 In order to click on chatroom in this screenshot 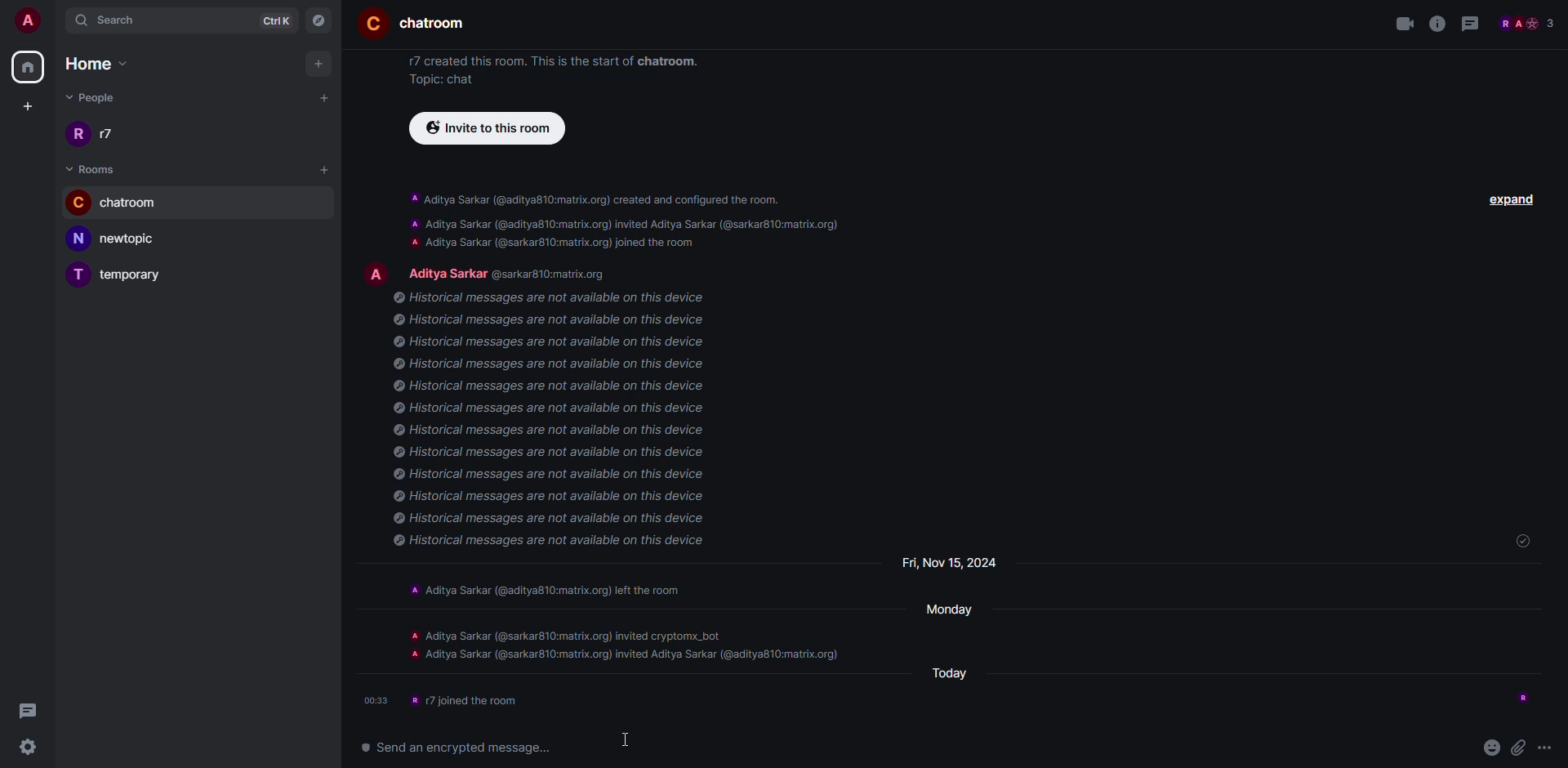, I will do `click(123, 201)`.